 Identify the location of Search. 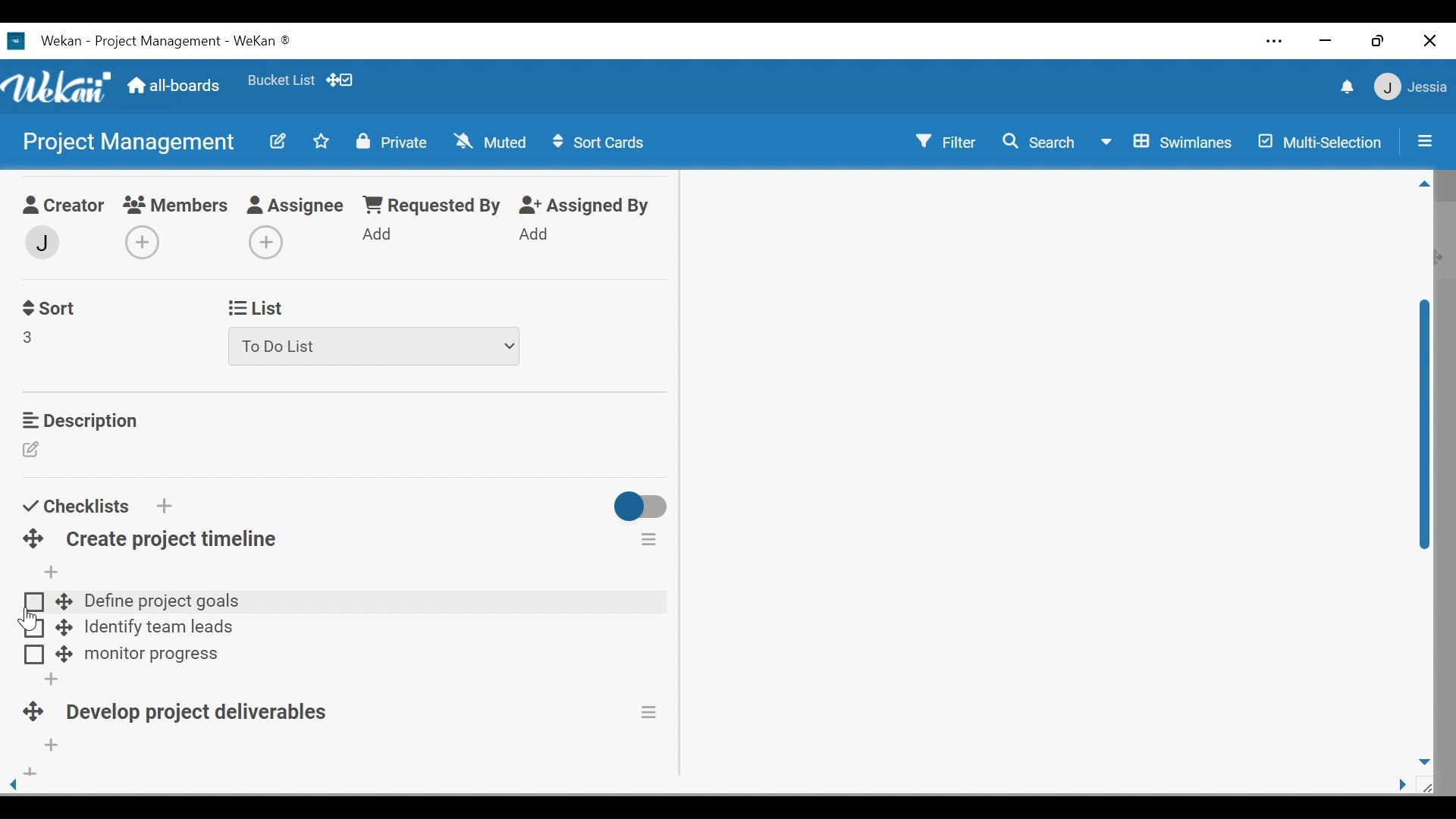
(1041, 144).